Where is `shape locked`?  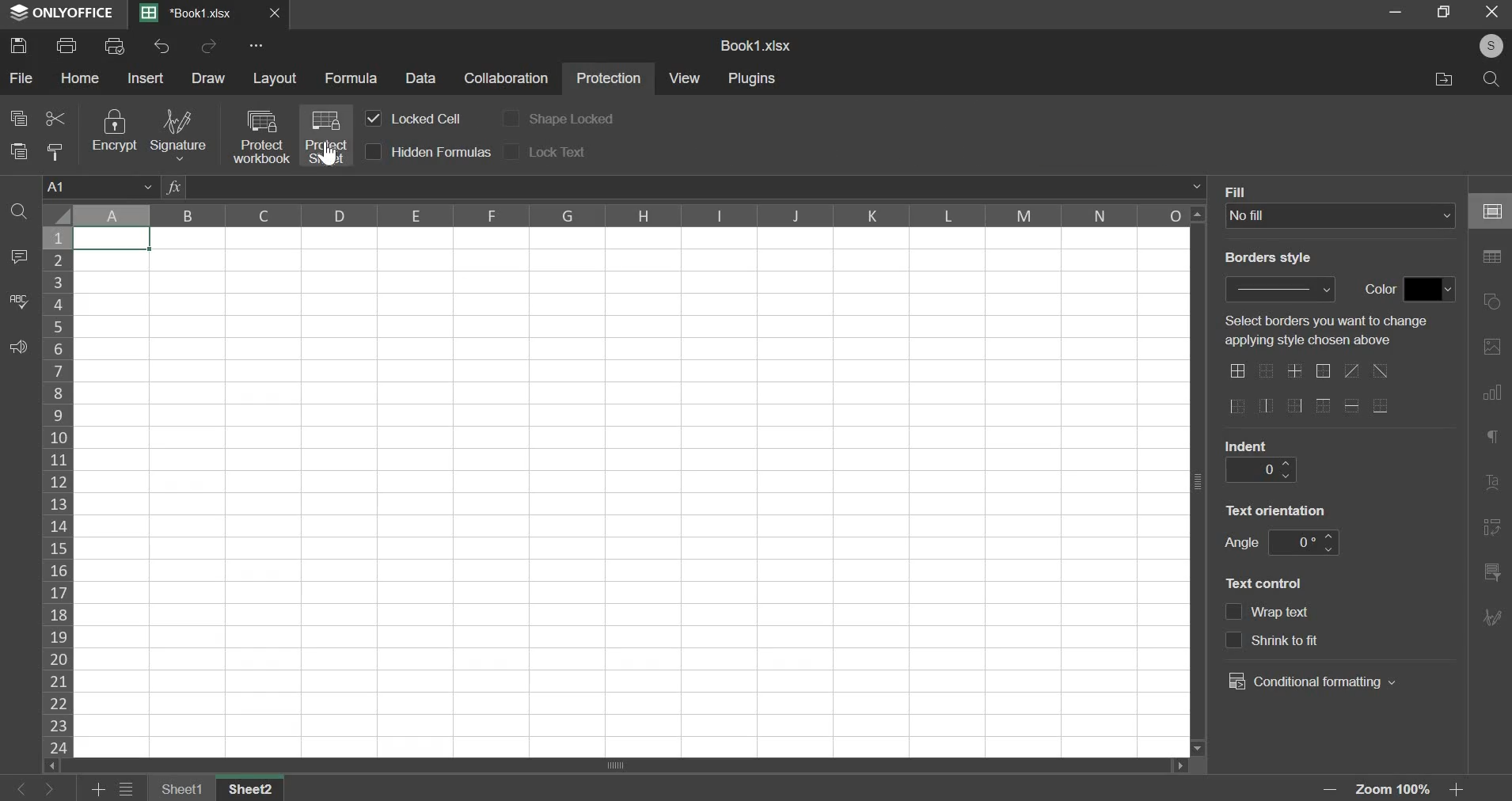 shape locked is located at coordinates (572, 120).